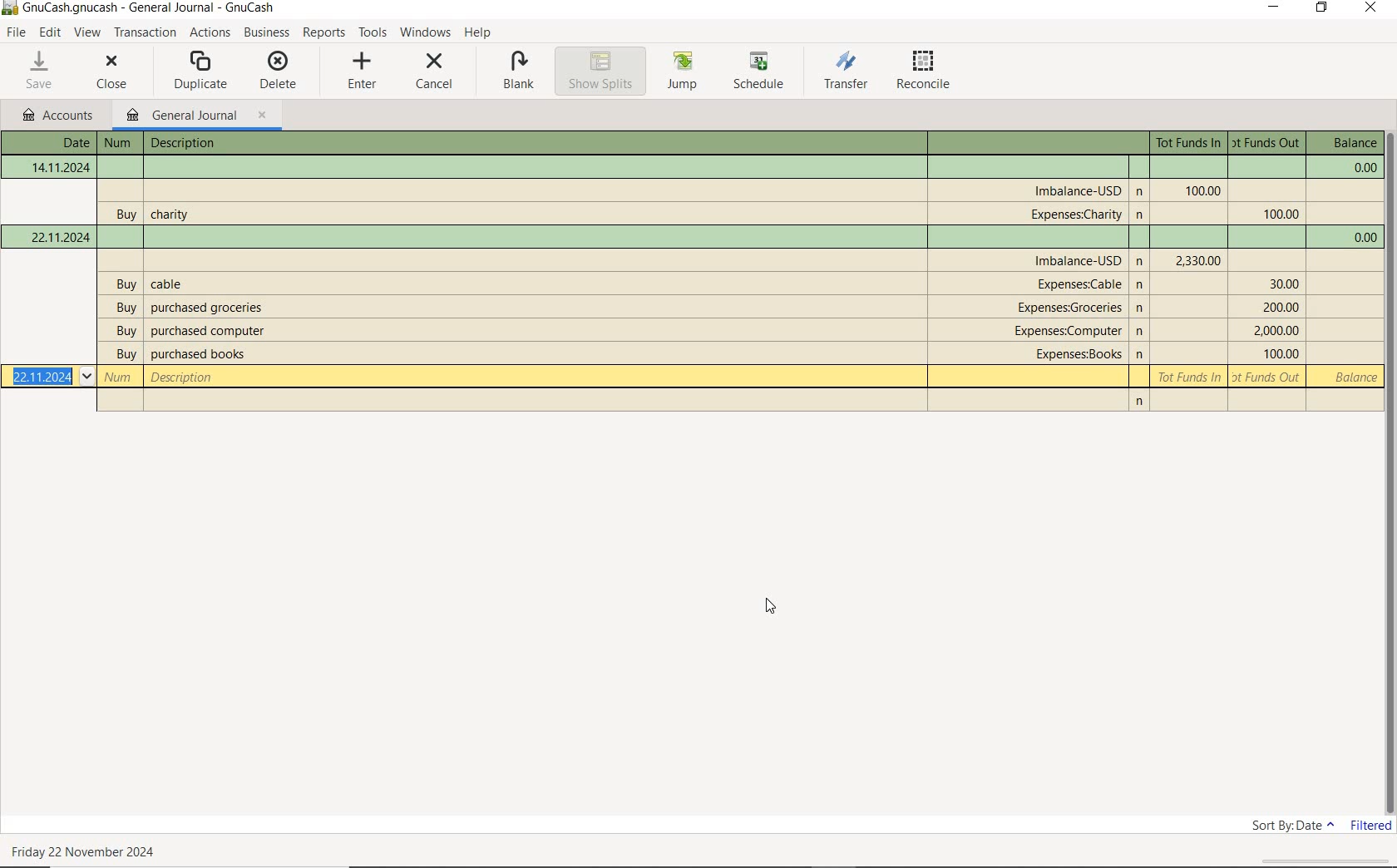 The width and height of the screenshot is (1397, 868). Describe the element at coordinates (208, 332) in the screenshot. I see `description` at that location.